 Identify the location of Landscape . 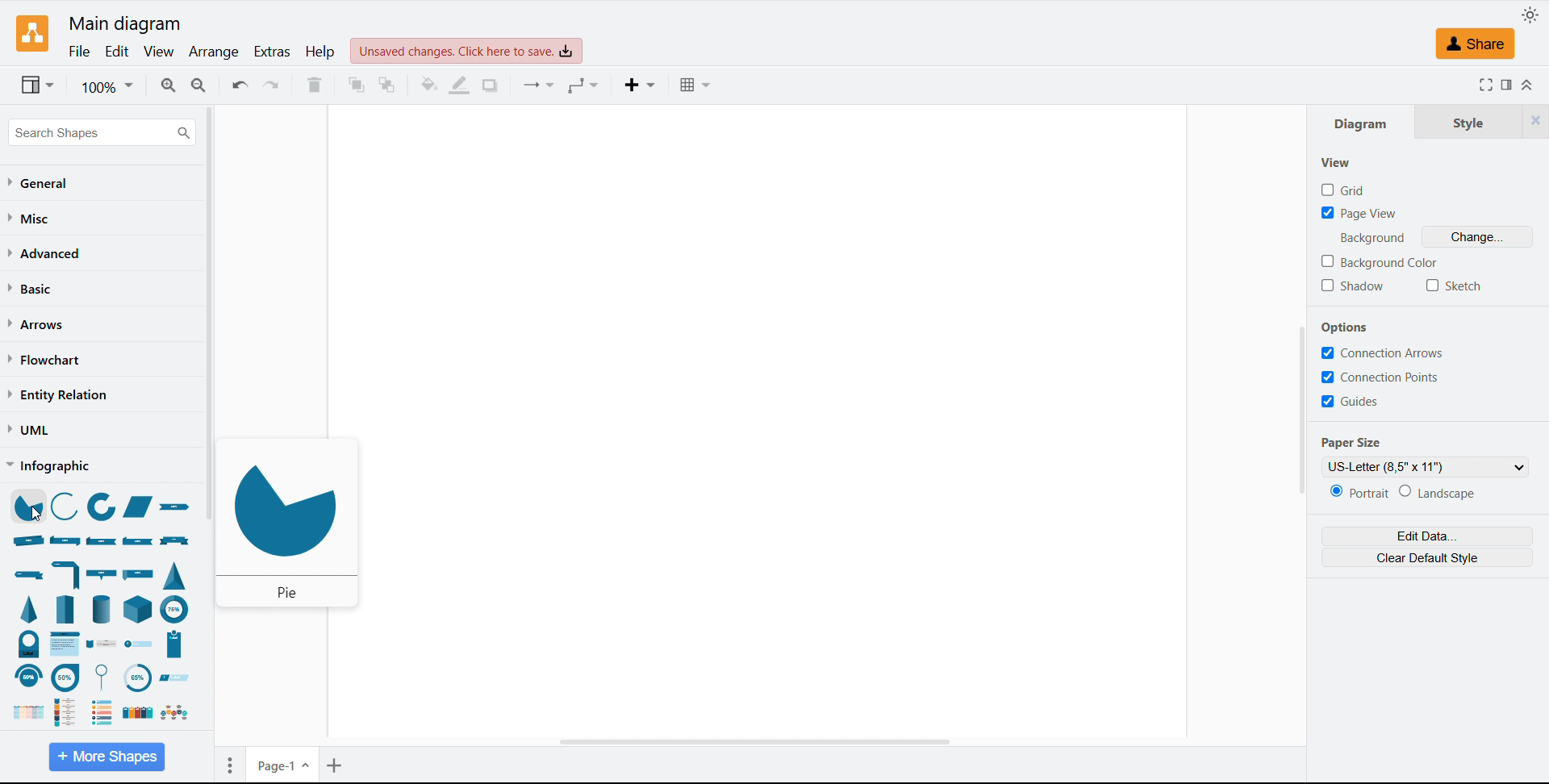
(1437, 493).